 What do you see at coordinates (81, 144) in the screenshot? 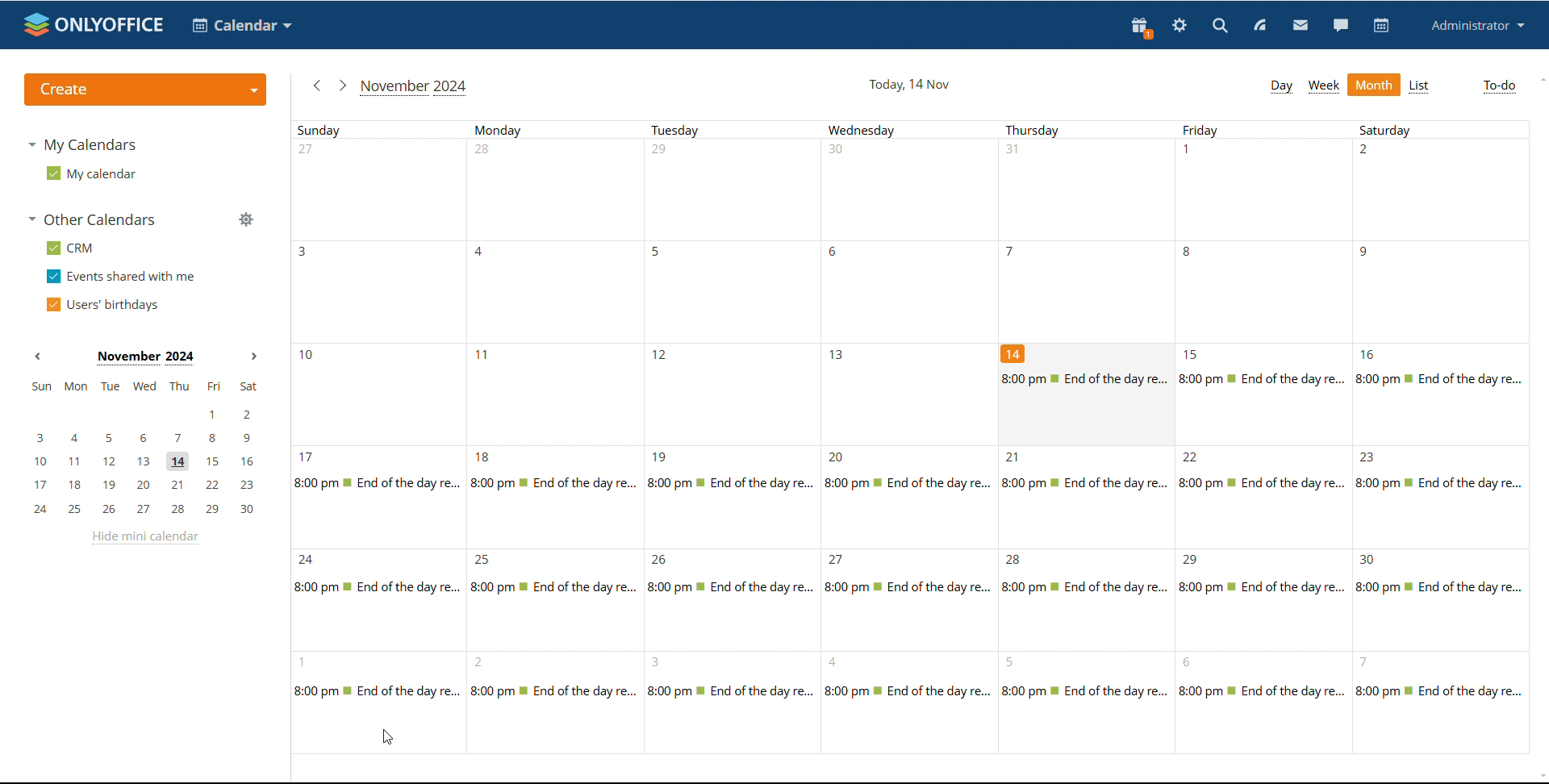
I see `my calendars` at bounding box center [81, 144].